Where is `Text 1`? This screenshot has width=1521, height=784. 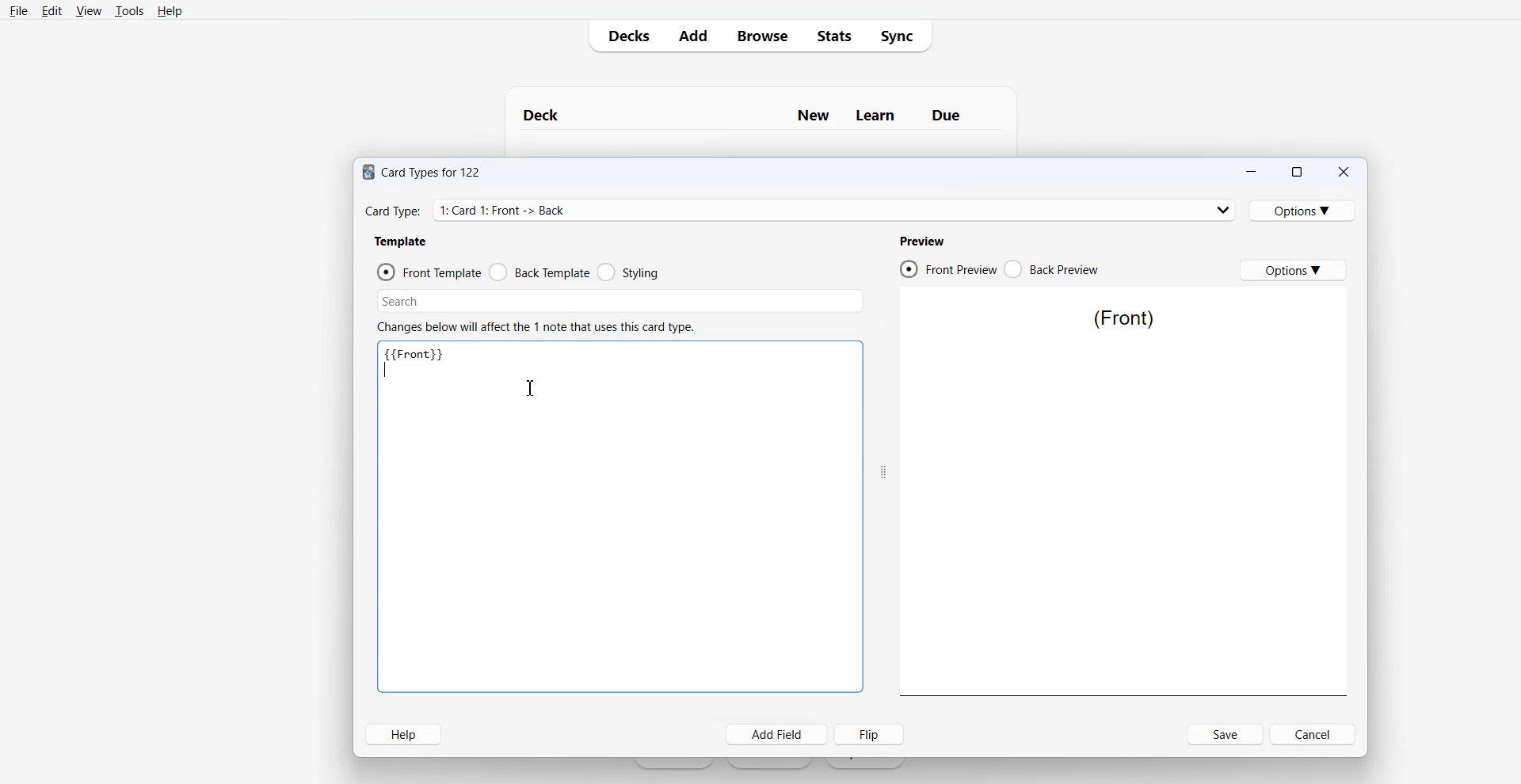 Text 1 is located at coordinates (745, 116).